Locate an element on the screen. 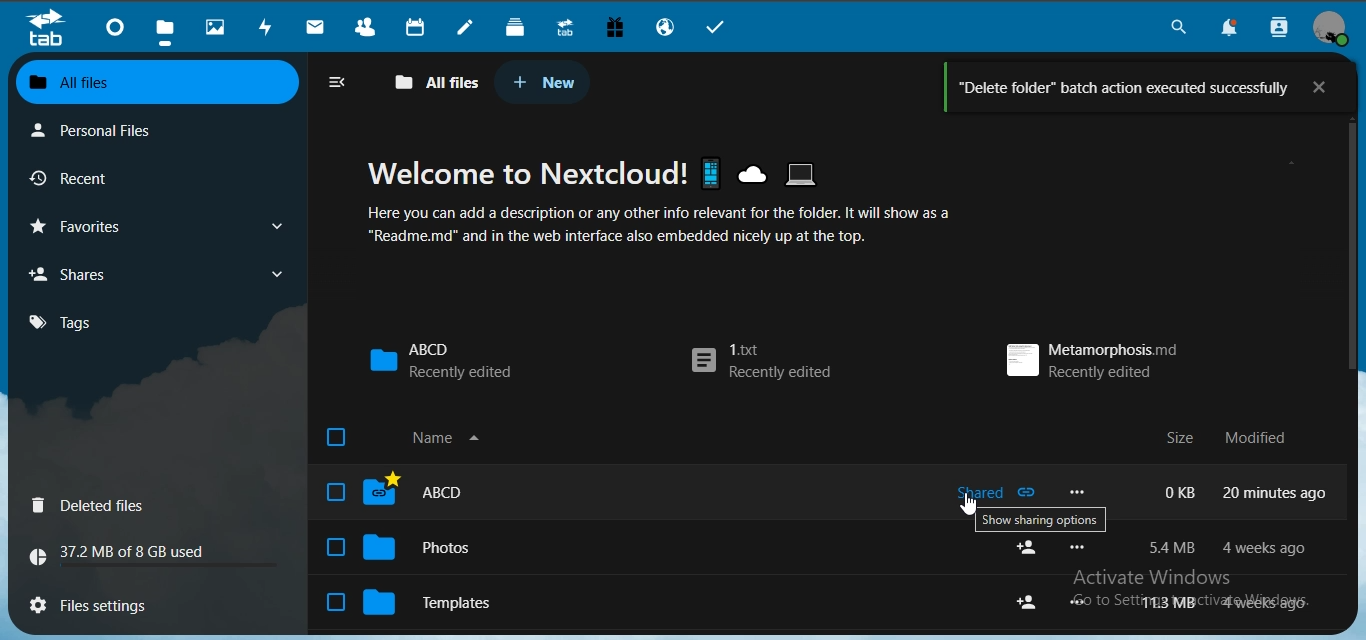  email hosting is located at coordinates (664, 25).